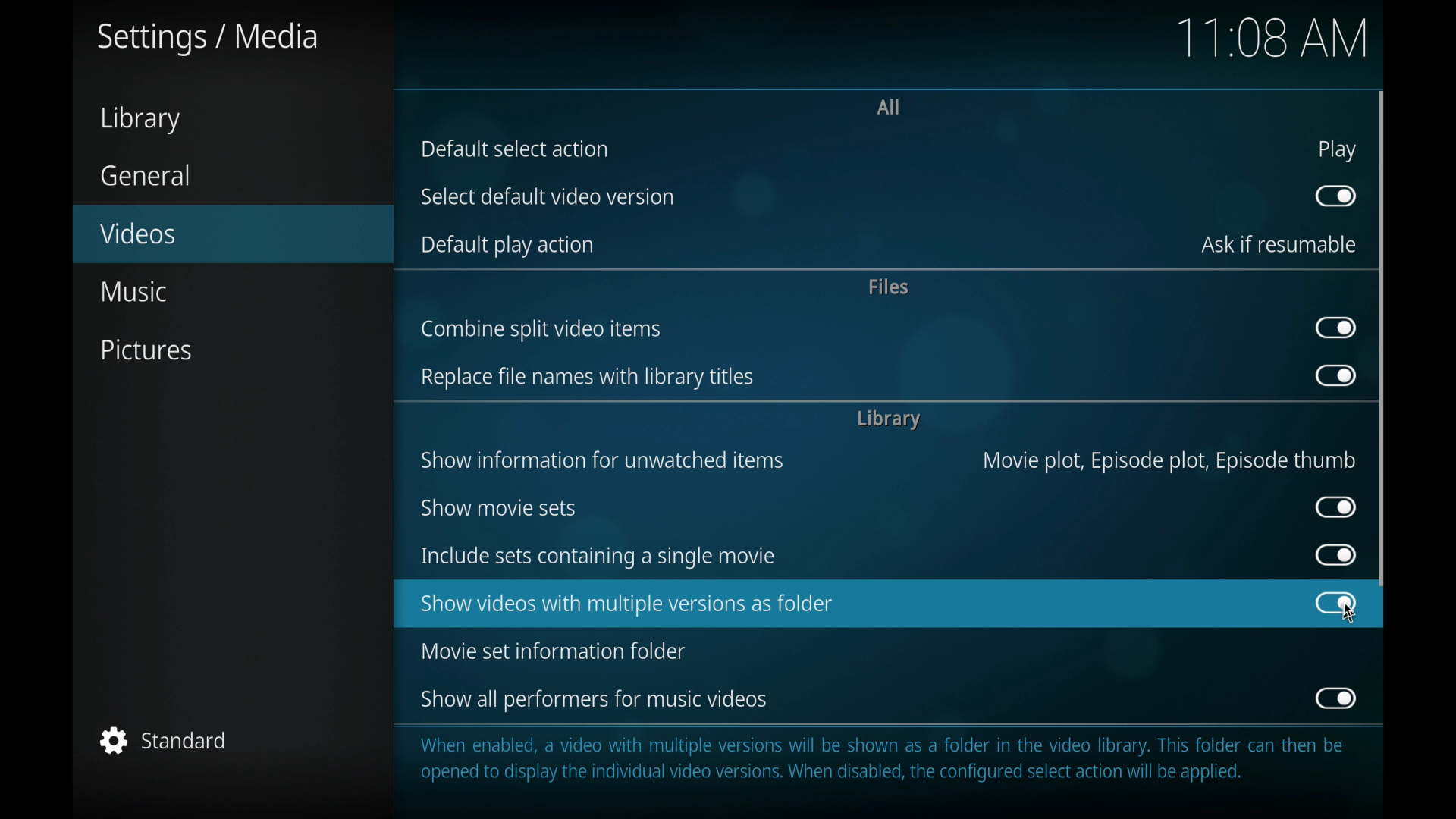 This screenshot has width=1456, height=819. What do you see at coordinates (552, 651) in the screenshot?
I see `movie set information folder` at bounding box center [552, 651].